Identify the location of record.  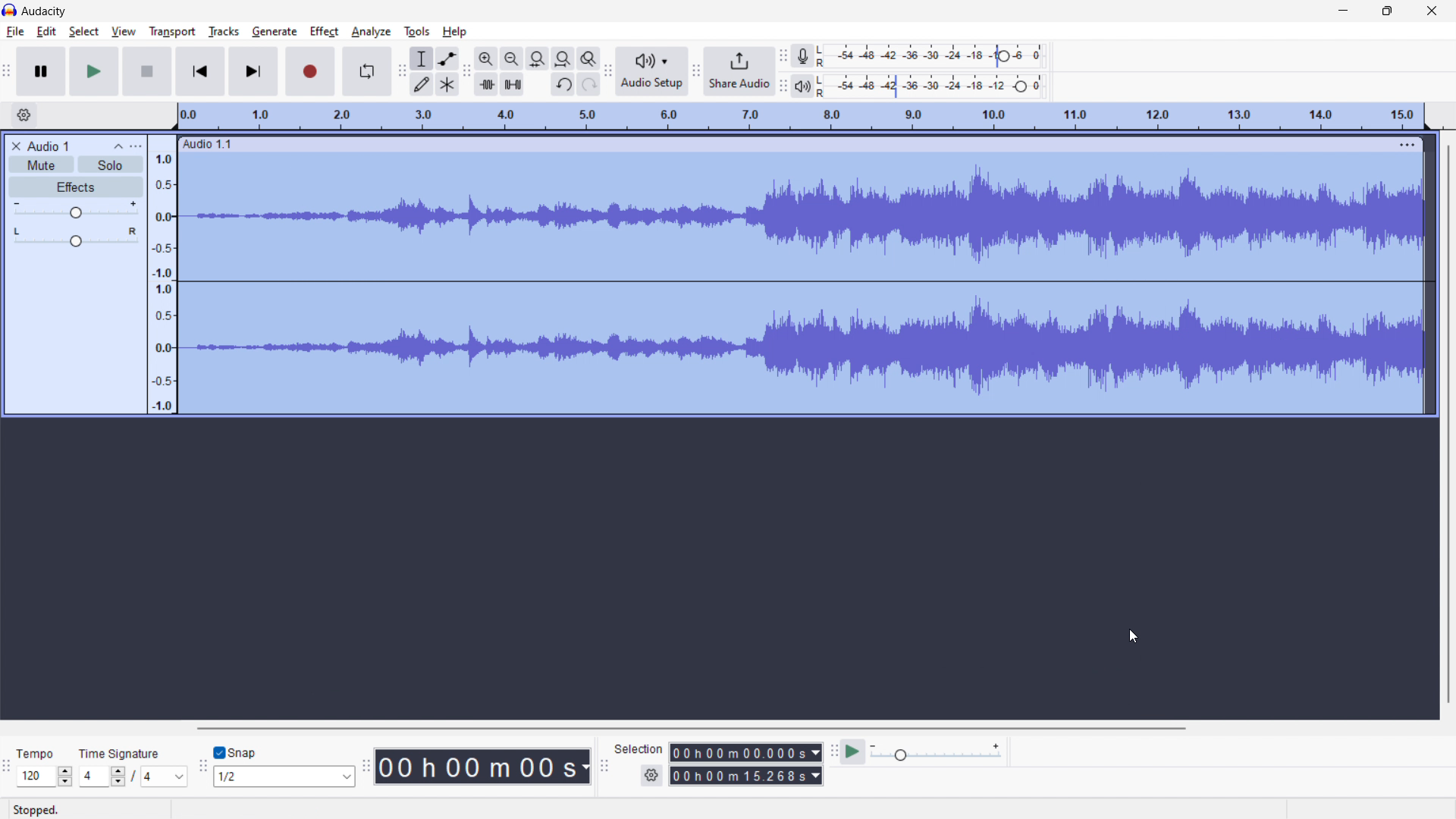
(311, 71).